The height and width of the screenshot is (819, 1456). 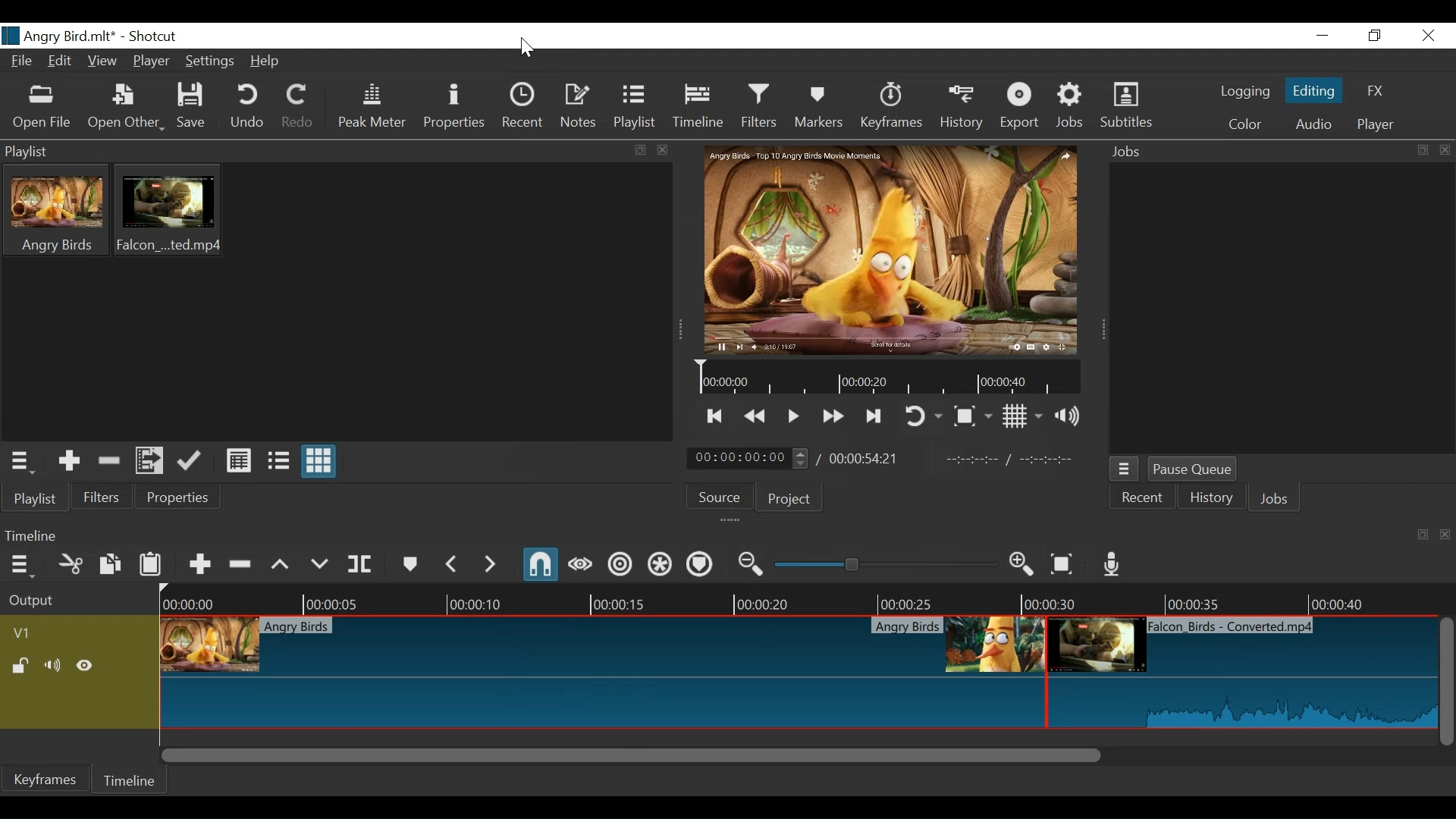 I want to click on Hide, so click(x=84, y=667).